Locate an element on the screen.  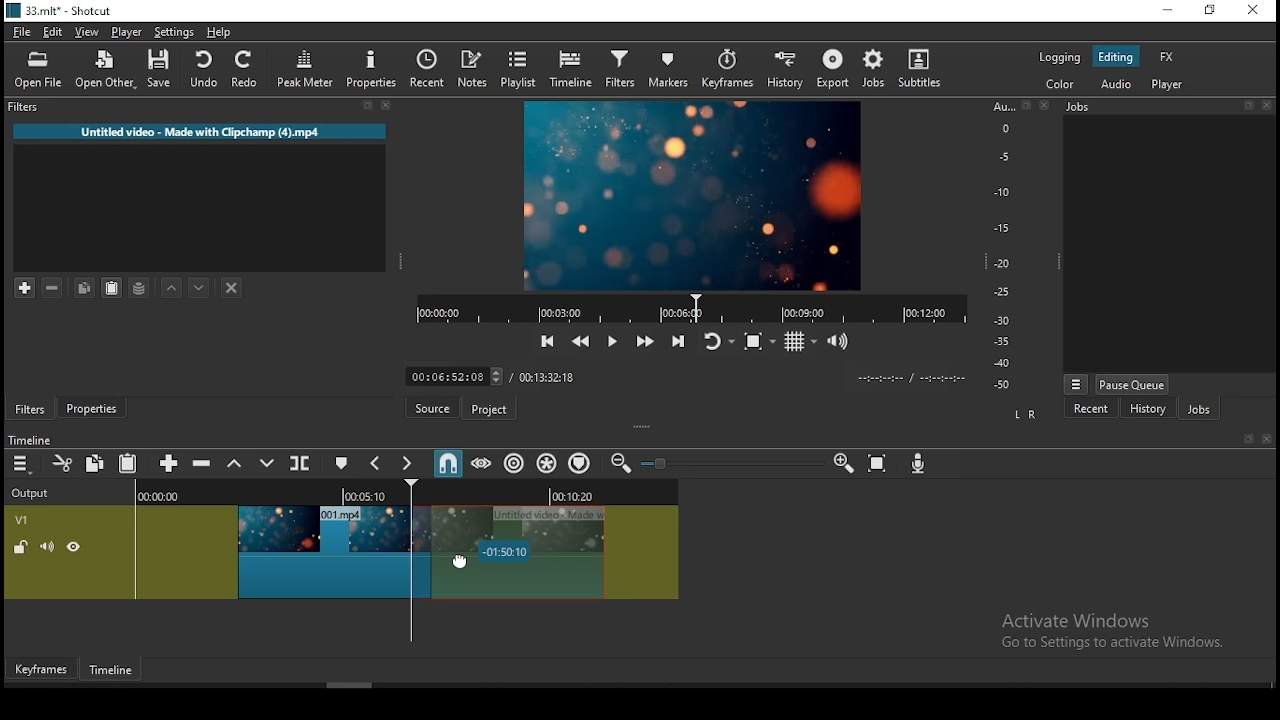
lift is located at coordinates (236, 463).